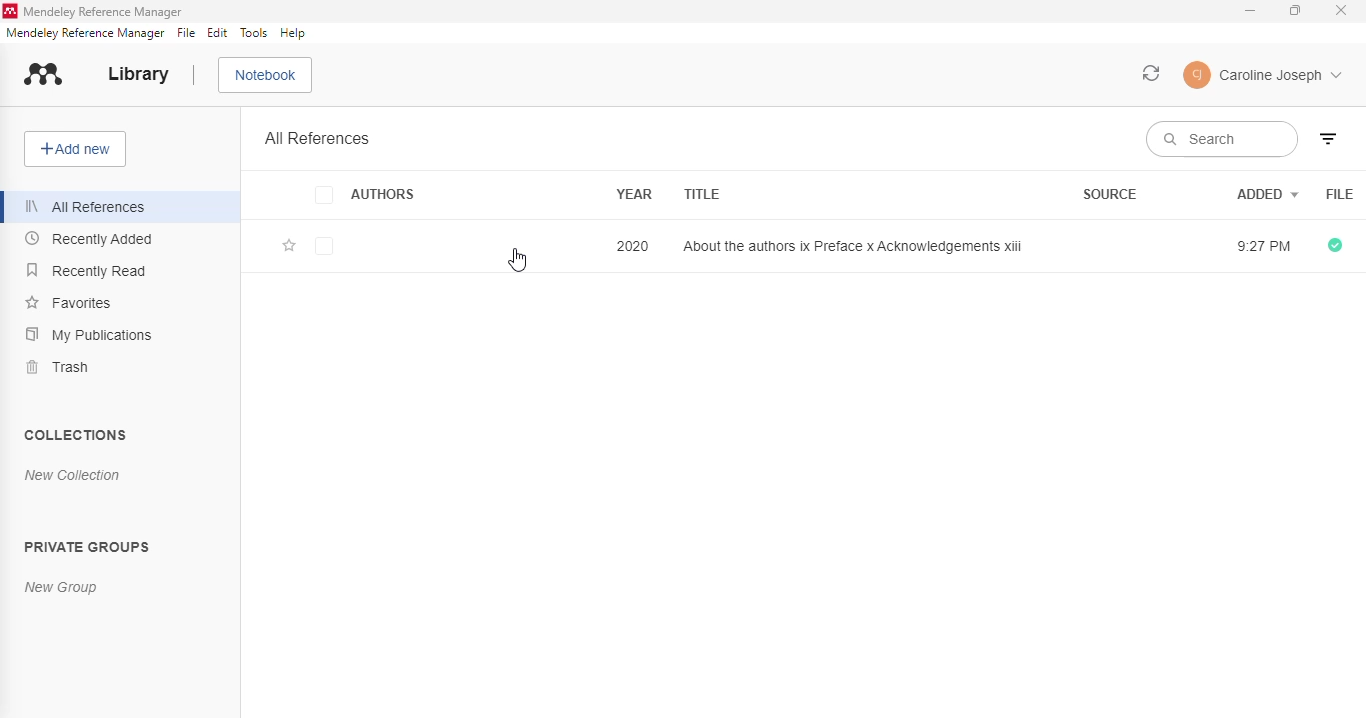 The height and width of the screenshot is (718, 1366). I want to click on all references, so click(318, 138).